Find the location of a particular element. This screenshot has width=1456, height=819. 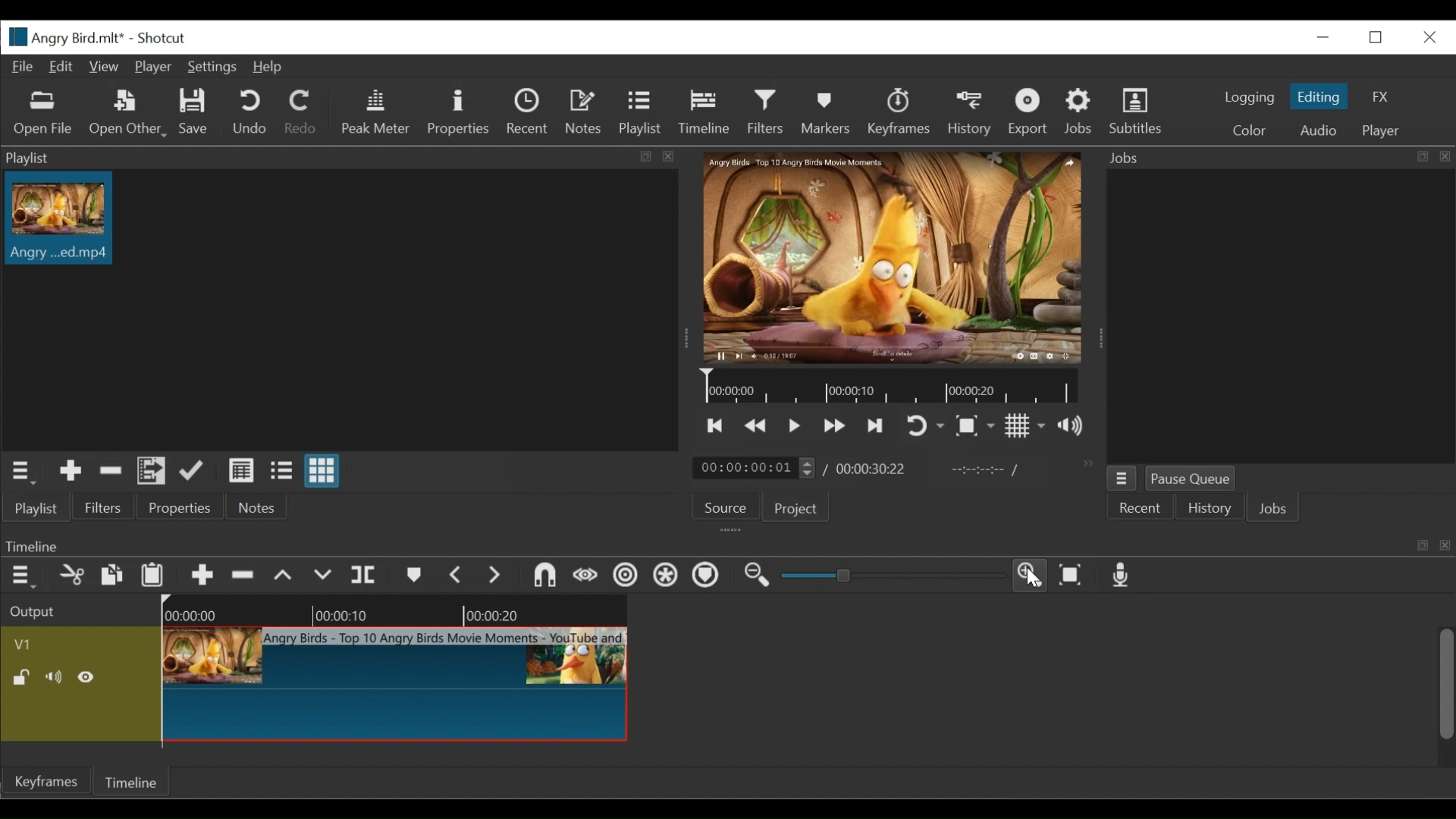

Timeline menu is located at coordinates (24, 576).